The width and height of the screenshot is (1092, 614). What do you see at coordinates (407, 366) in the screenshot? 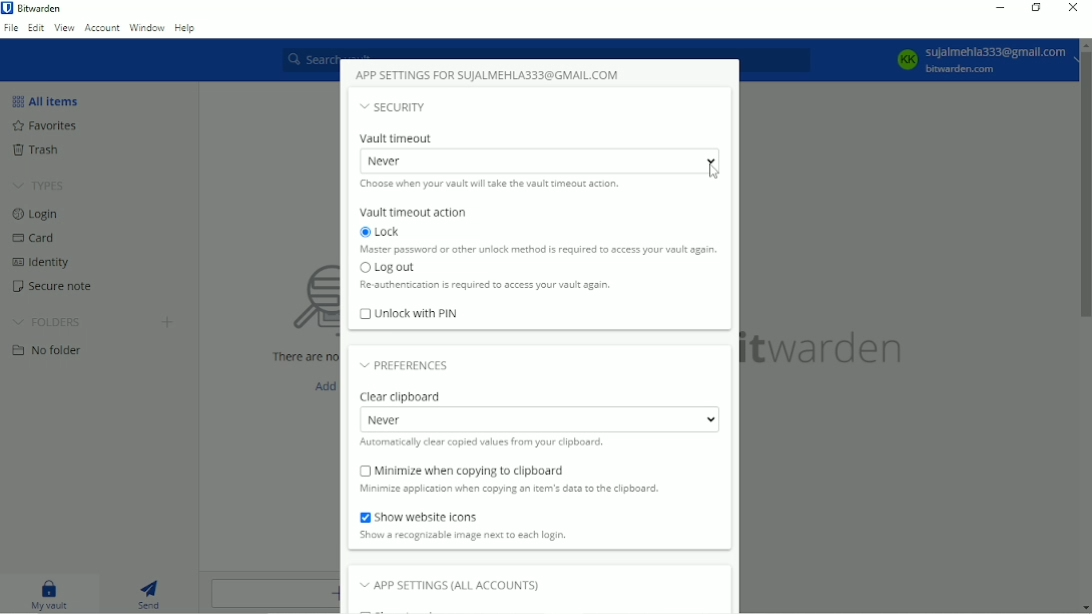
I see `Preferences` at bounding box center [407, 366].